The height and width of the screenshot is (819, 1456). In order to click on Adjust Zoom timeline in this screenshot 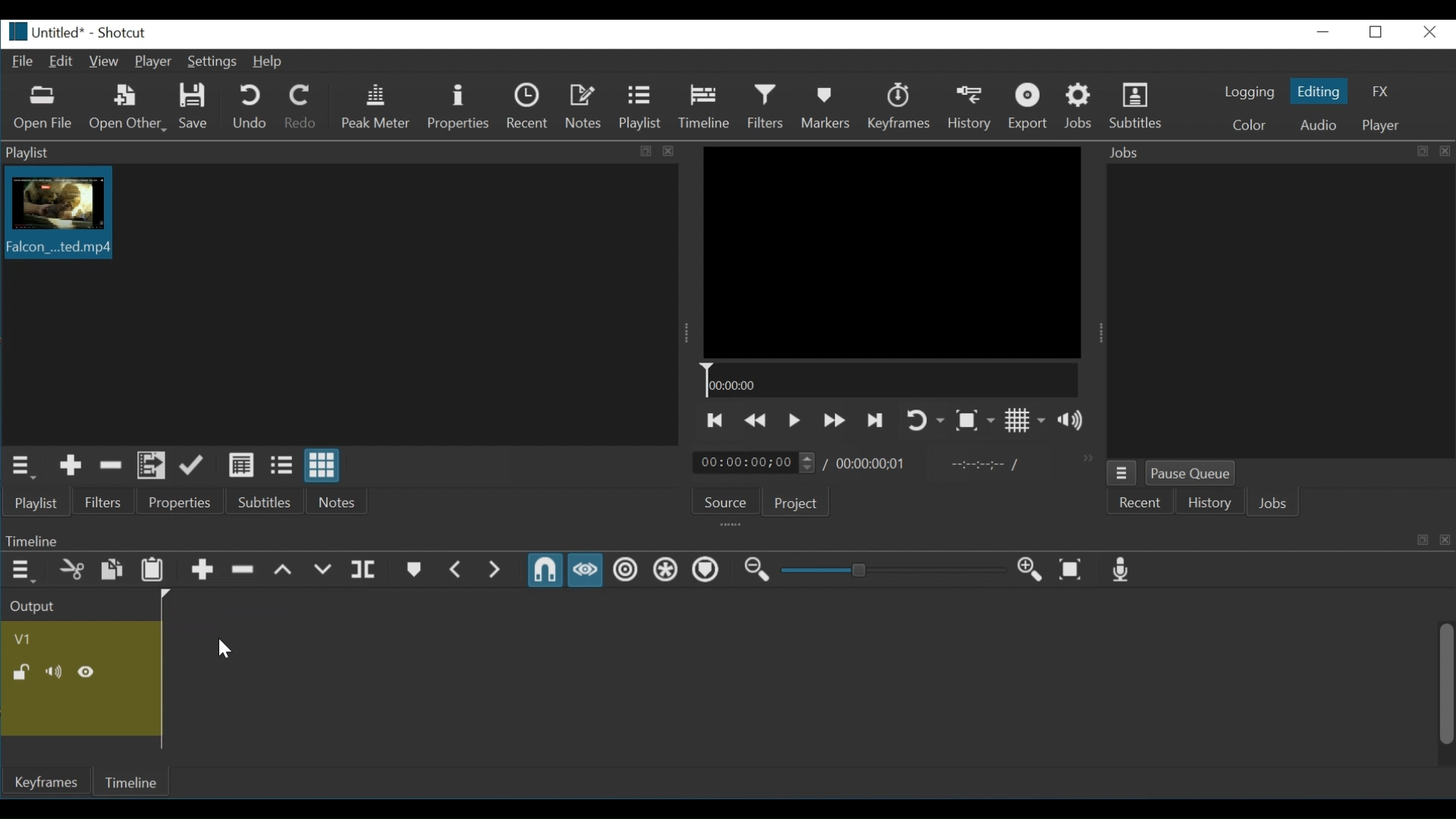, I will do `click(891, 570)`.